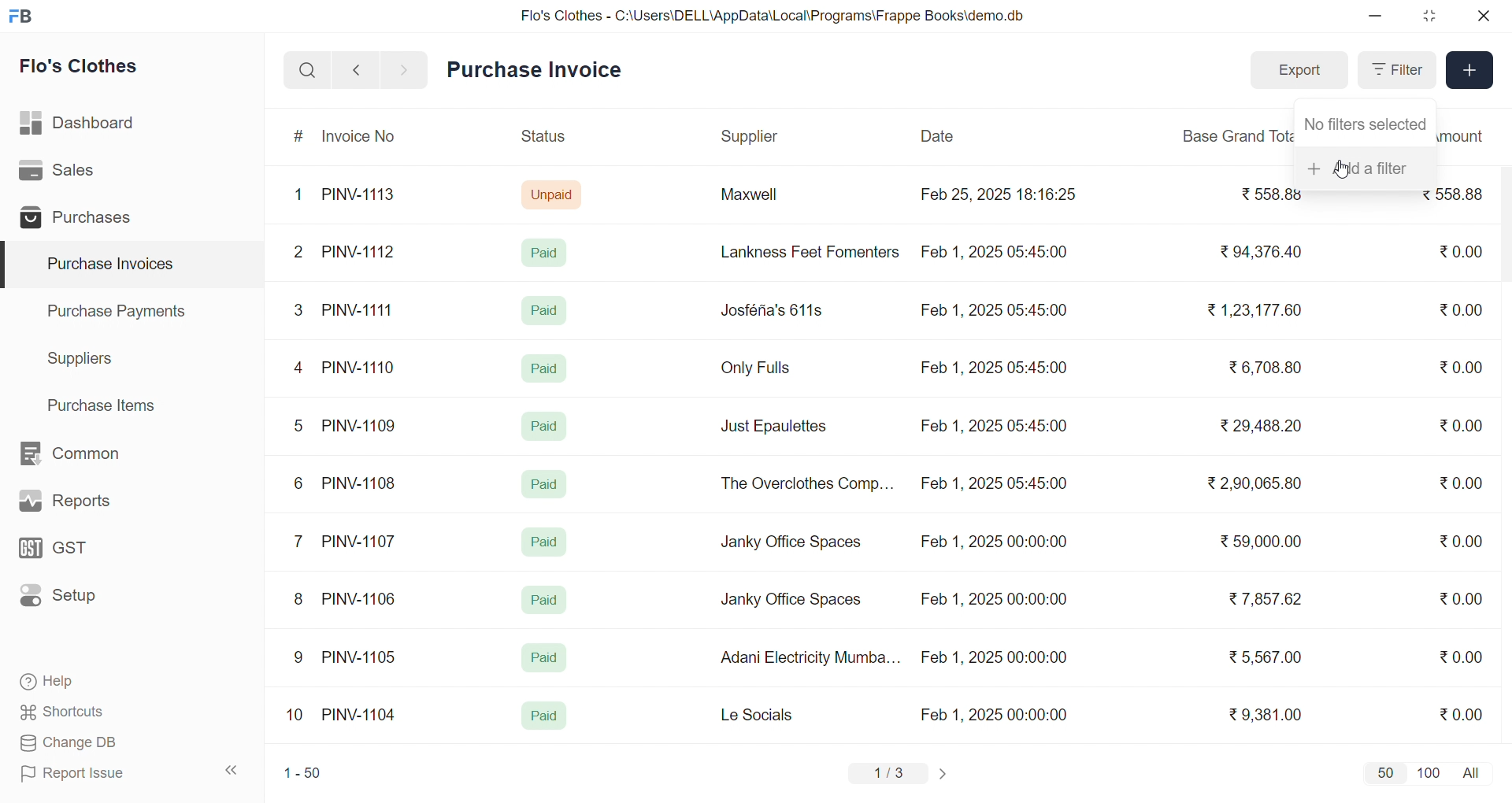 The width and height of the screenshot is (1512, 803). I want to click on PINV-1105, so click(362, 657).